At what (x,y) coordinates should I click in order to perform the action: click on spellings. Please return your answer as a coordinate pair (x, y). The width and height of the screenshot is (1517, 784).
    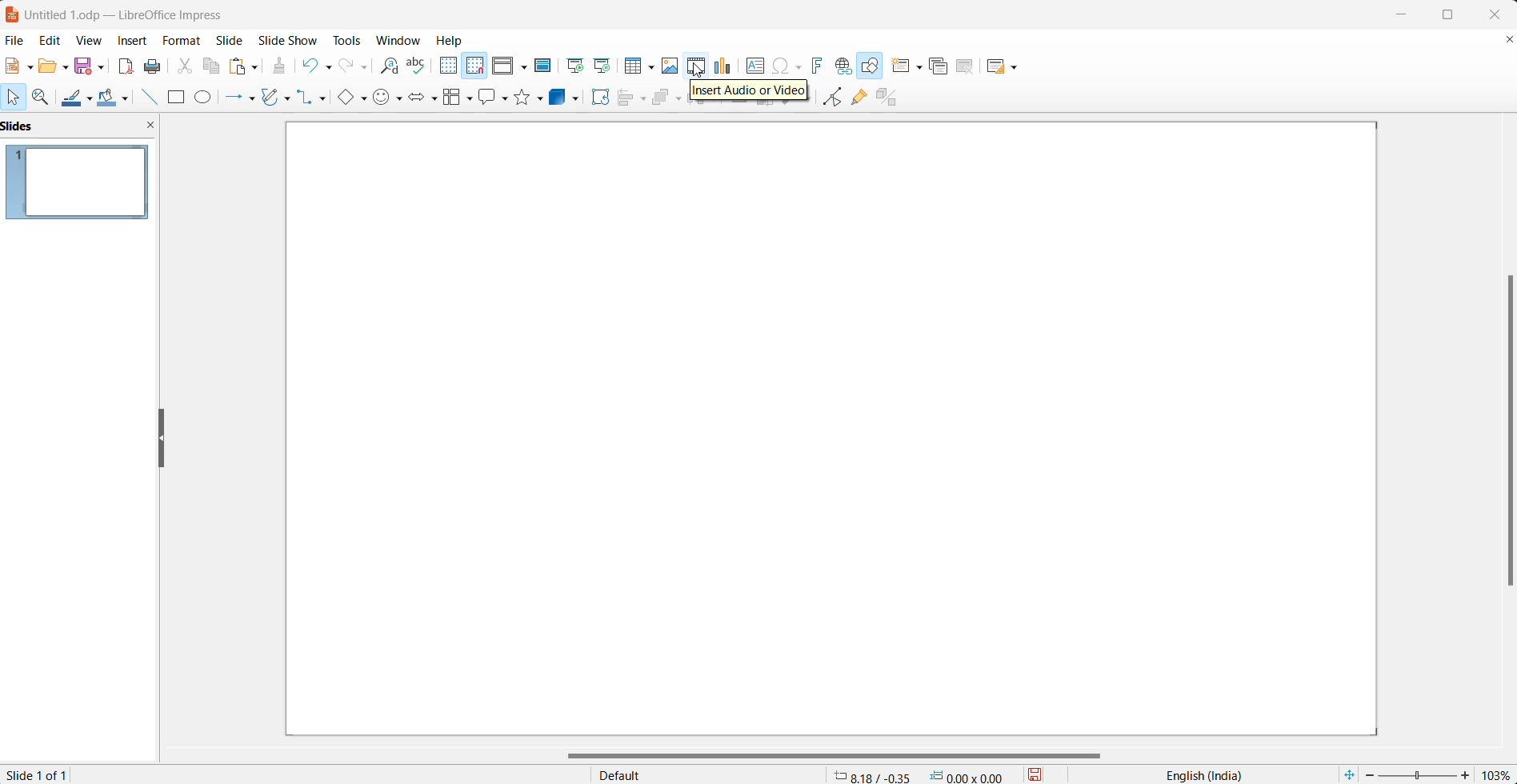
    Looking at the image, I should click on (417, 64).